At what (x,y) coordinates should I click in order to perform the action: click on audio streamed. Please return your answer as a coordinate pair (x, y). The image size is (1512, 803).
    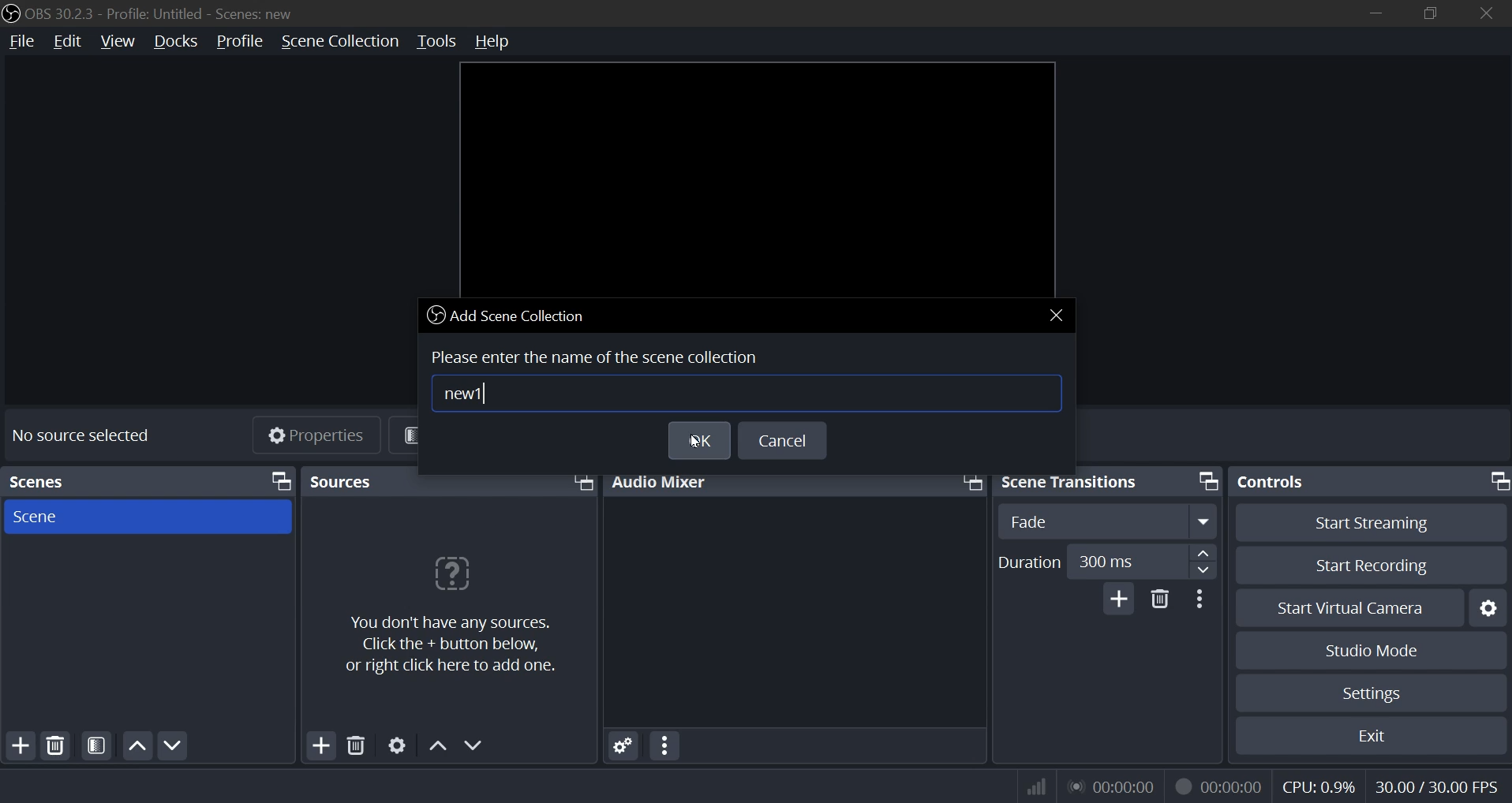
    Looking at the image, I should click on (1110, 786).